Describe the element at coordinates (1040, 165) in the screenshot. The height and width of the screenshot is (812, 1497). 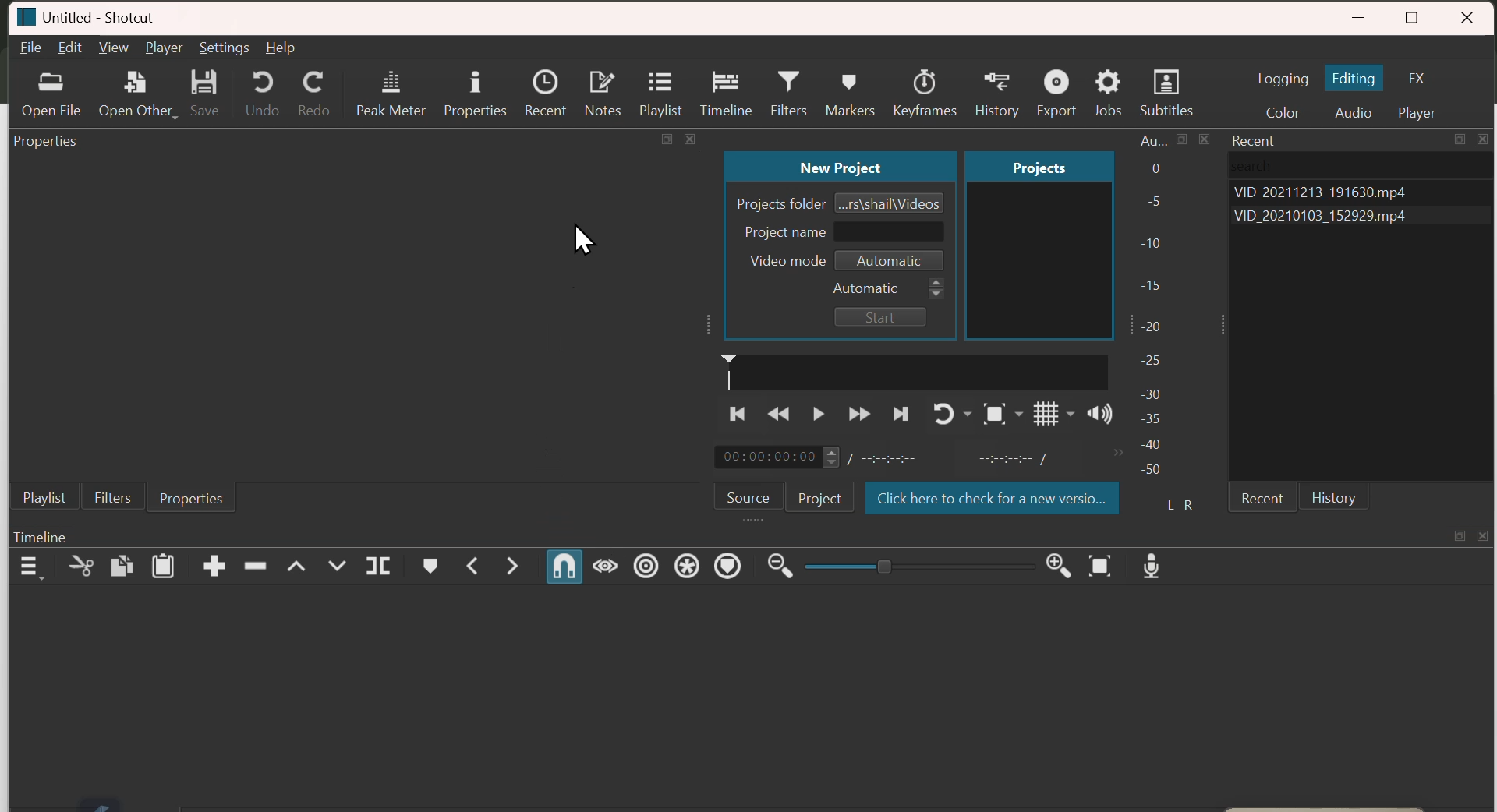
I see `Project` at that location.